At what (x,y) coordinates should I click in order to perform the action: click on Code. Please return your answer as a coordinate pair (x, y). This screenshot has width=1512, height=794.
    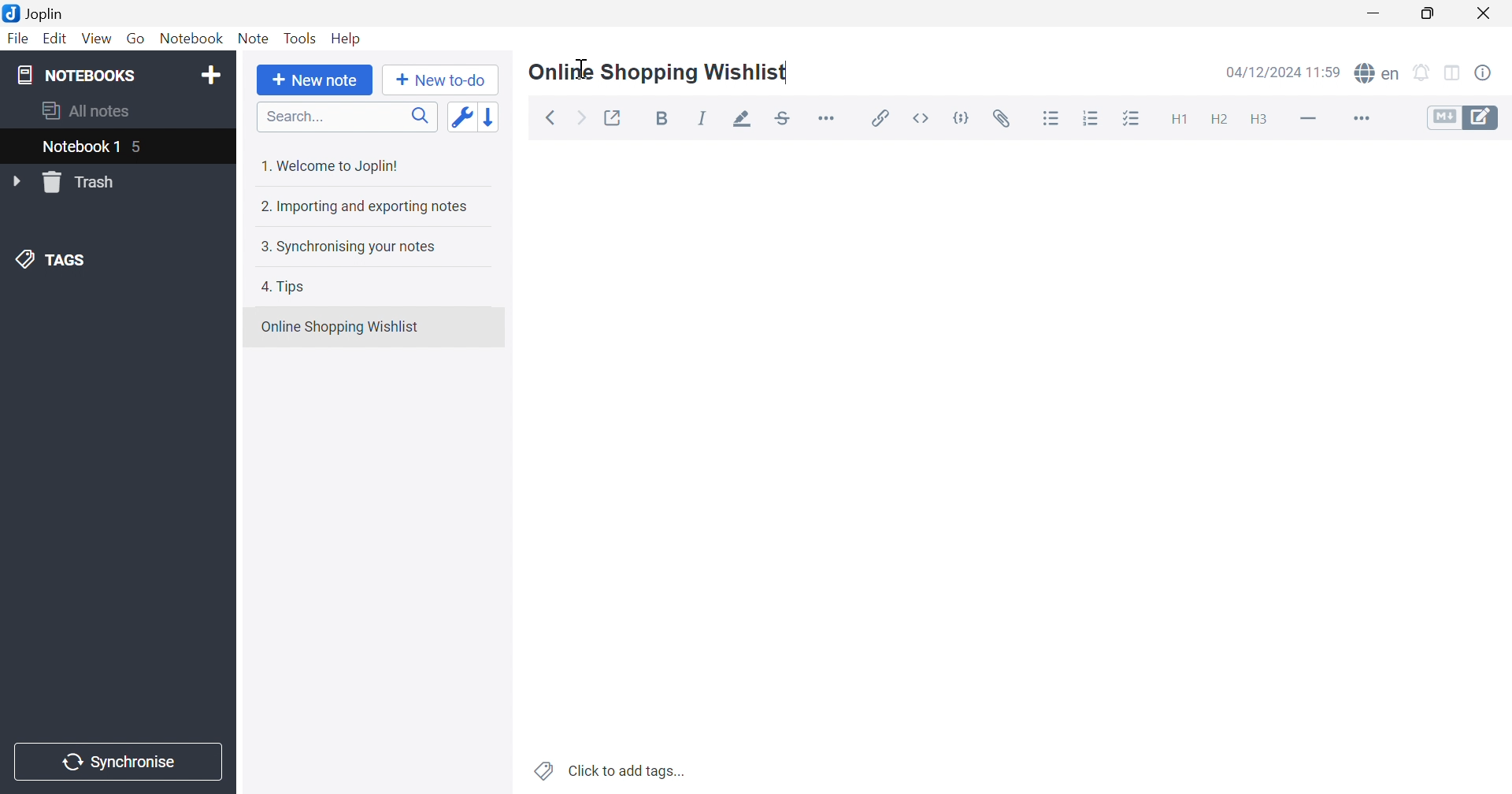
    Looking at the image, I should click on (962, 117).